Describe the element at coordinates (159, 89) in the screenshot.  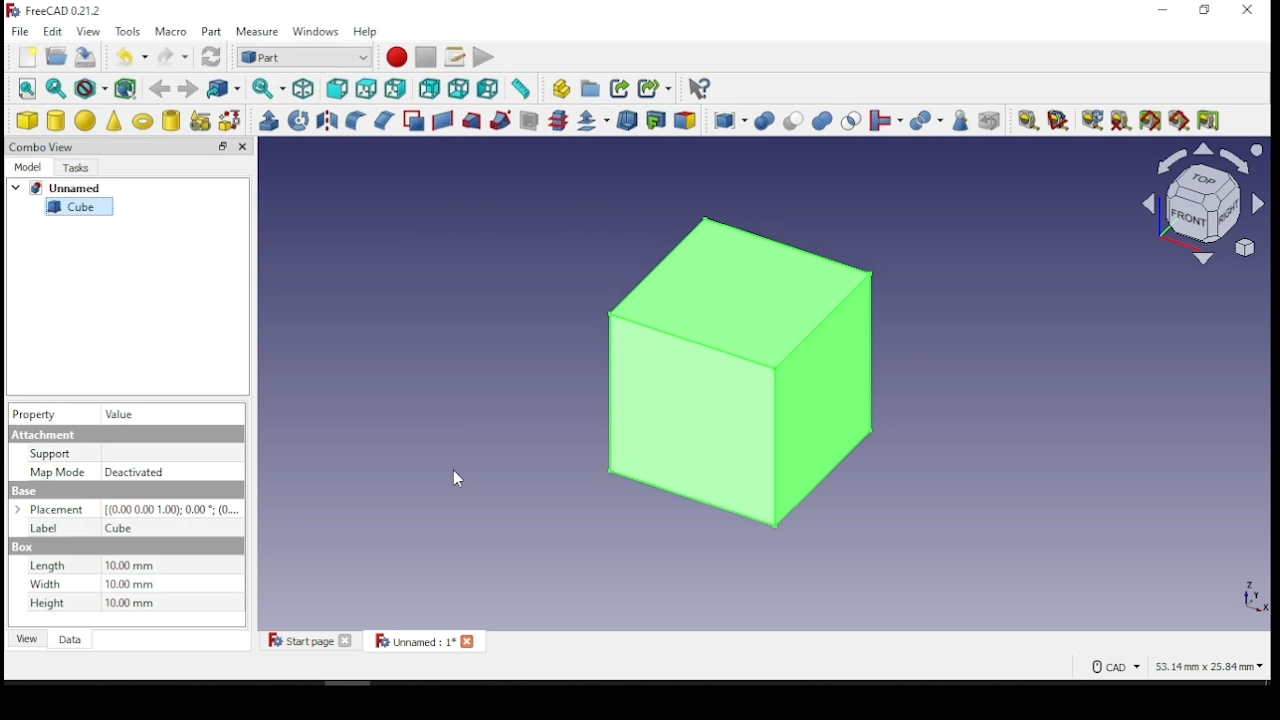
I see `back` at that location.